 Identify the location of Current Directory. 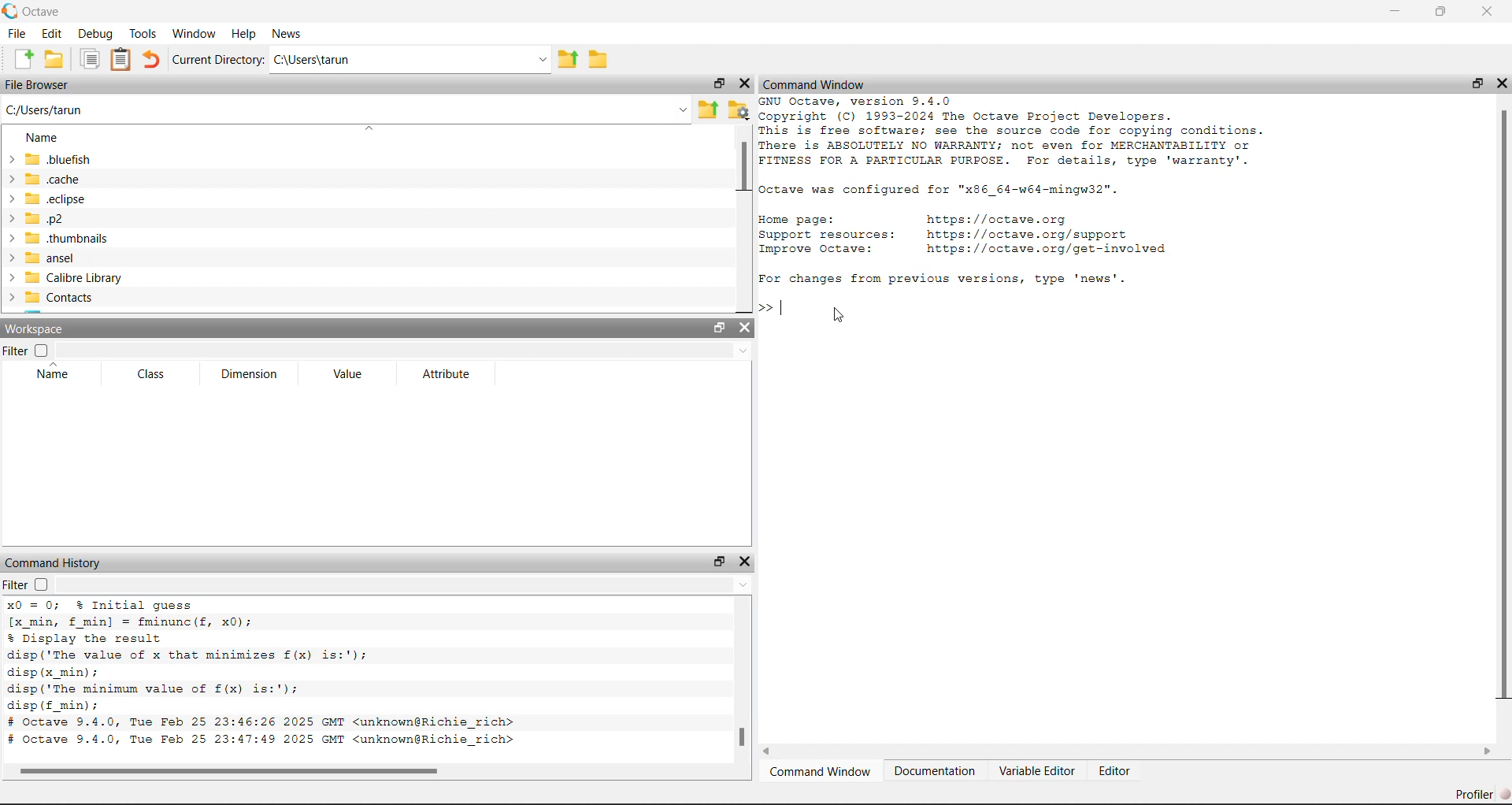
(217, 59).